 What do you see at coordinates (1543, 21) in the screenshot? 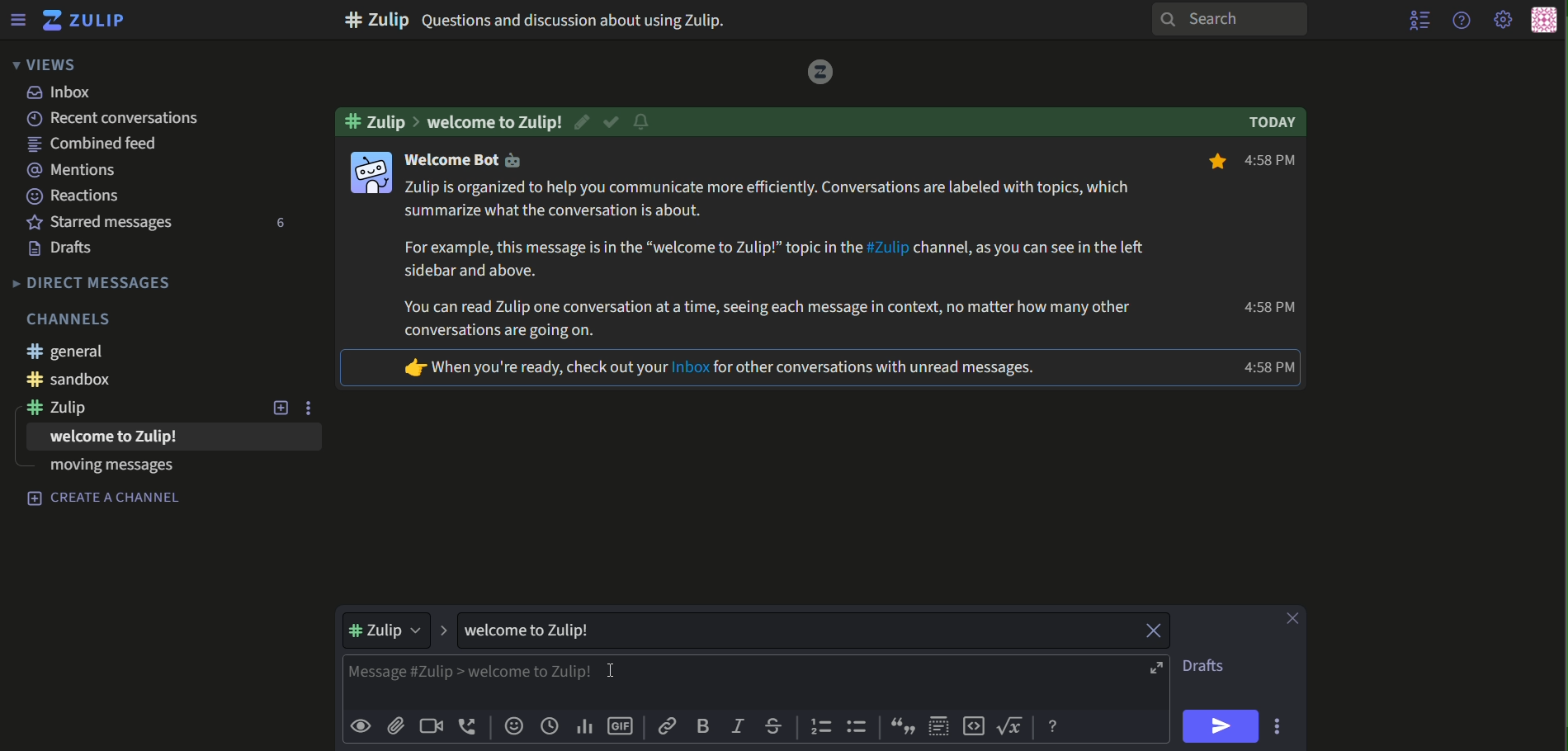
I see `personal menu` at bounding box center [1543, 21].